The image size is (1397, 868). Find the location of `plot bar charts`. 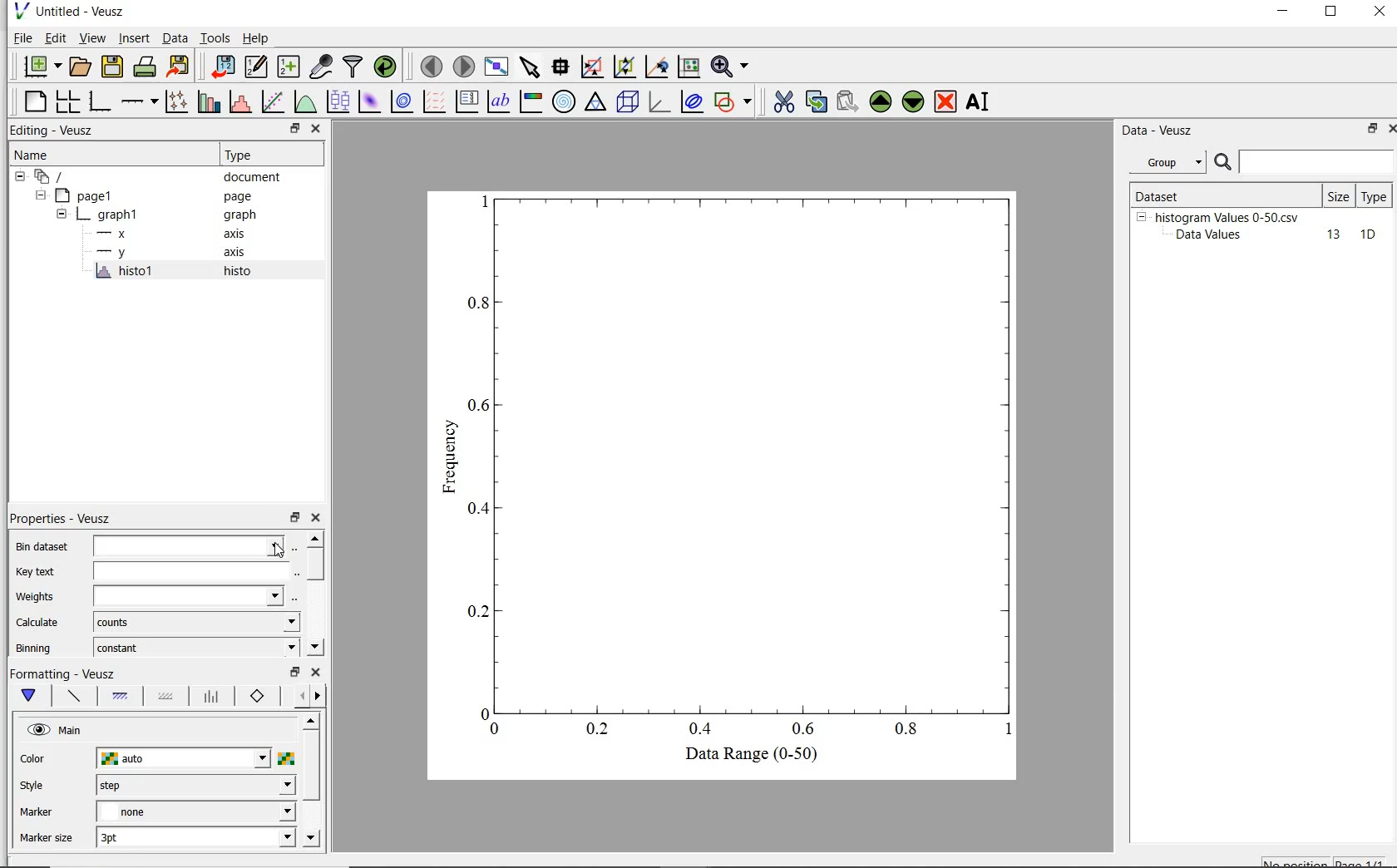

plot bar charts is located at coordinates (209, 101).